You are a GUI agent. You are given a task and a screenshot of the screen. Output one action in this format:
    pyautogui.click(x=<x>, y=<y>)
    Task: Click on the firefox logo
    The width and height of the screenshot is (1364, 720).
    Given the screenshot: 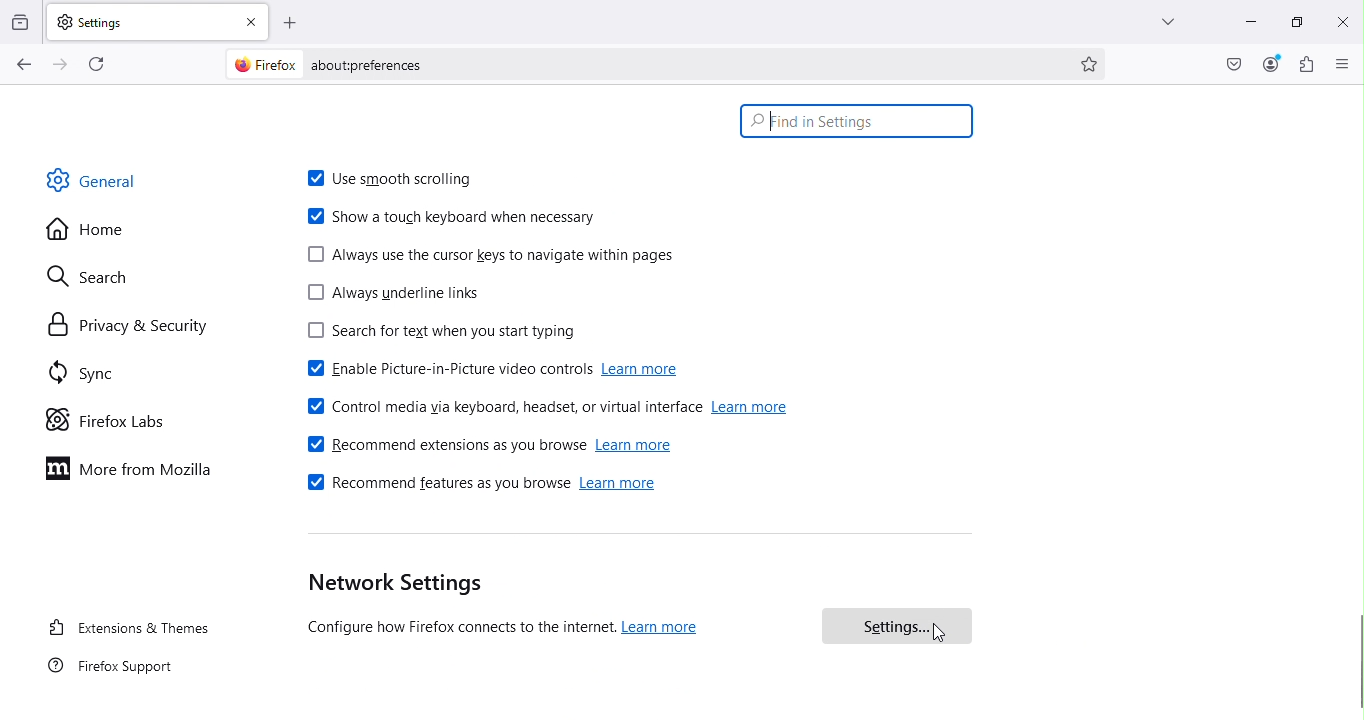 What is the action you would take?
    pyautogui.click(x=260, y=64)
    